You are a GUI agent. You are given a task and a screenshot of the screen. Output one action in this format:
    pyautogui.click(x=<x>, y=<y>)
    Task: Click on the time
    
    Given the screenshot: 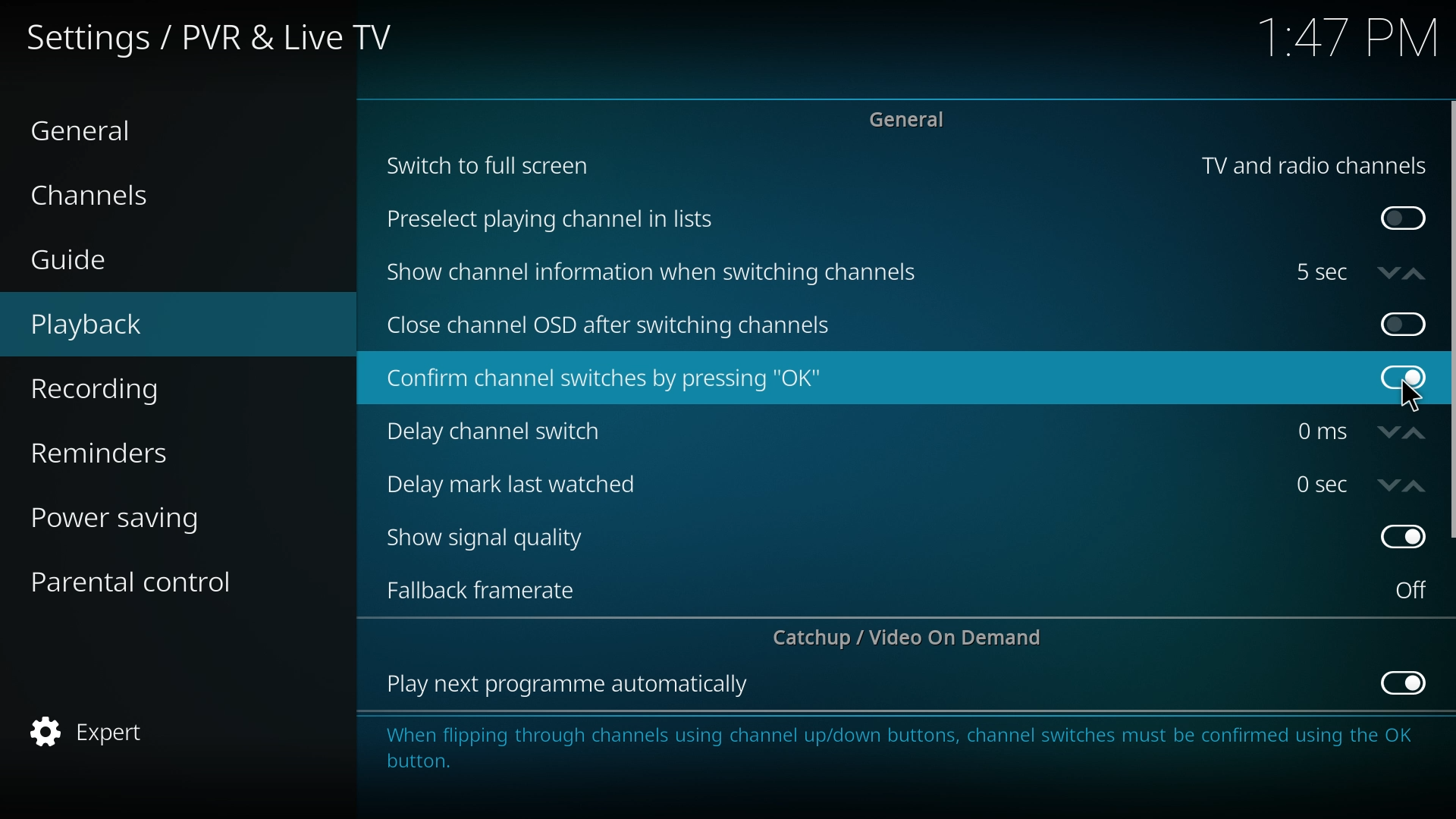 What is the action you would take?
    pyautogui.click(x=1348, y=40)
    